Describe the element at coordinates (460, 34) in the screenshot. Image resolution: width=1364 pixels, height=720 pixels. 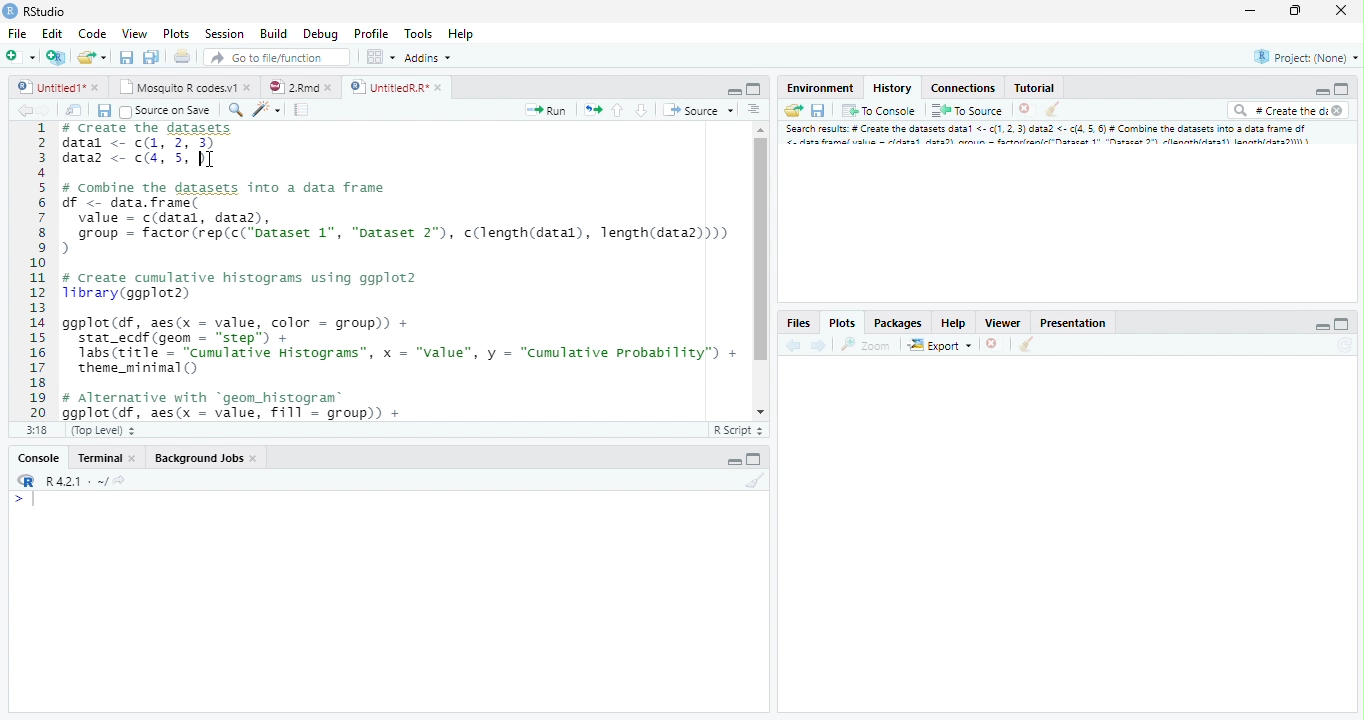
I see `Help` at that location.